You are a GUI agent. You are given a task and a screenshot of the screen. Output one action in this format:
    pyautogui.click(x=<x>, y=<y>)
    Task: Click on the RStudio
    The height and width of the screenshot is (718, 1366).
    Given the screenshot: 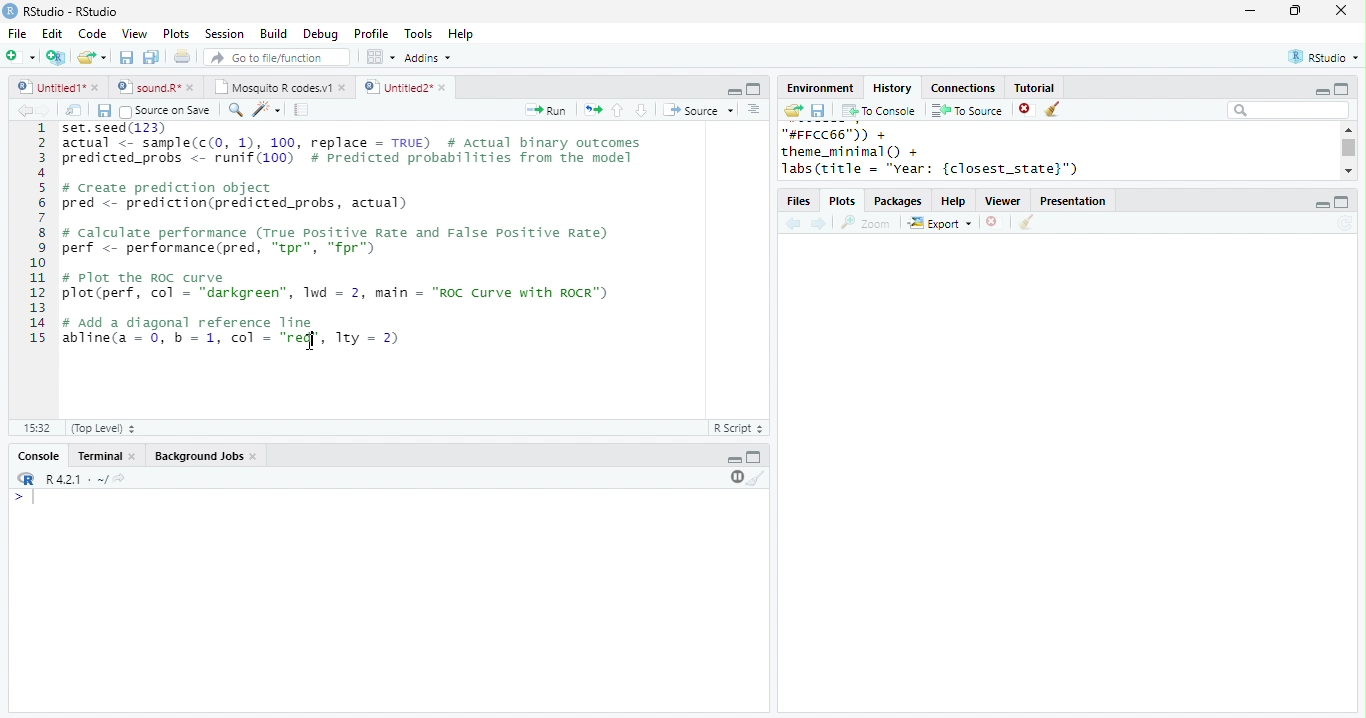 What is the action you would take?
    pyautogui.click(x=1326, y=56)
    